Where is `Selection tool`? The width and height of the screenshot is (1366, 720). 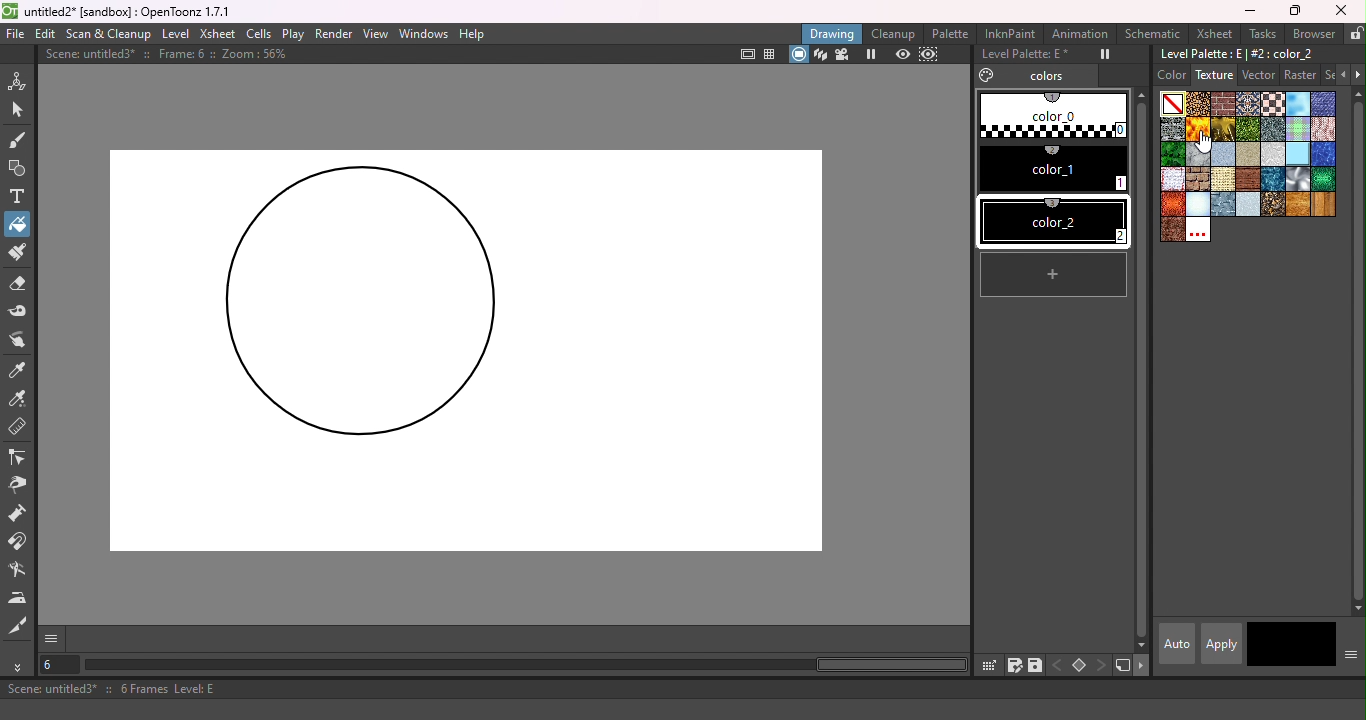
Selection tool is located at coordinates (20, 113).